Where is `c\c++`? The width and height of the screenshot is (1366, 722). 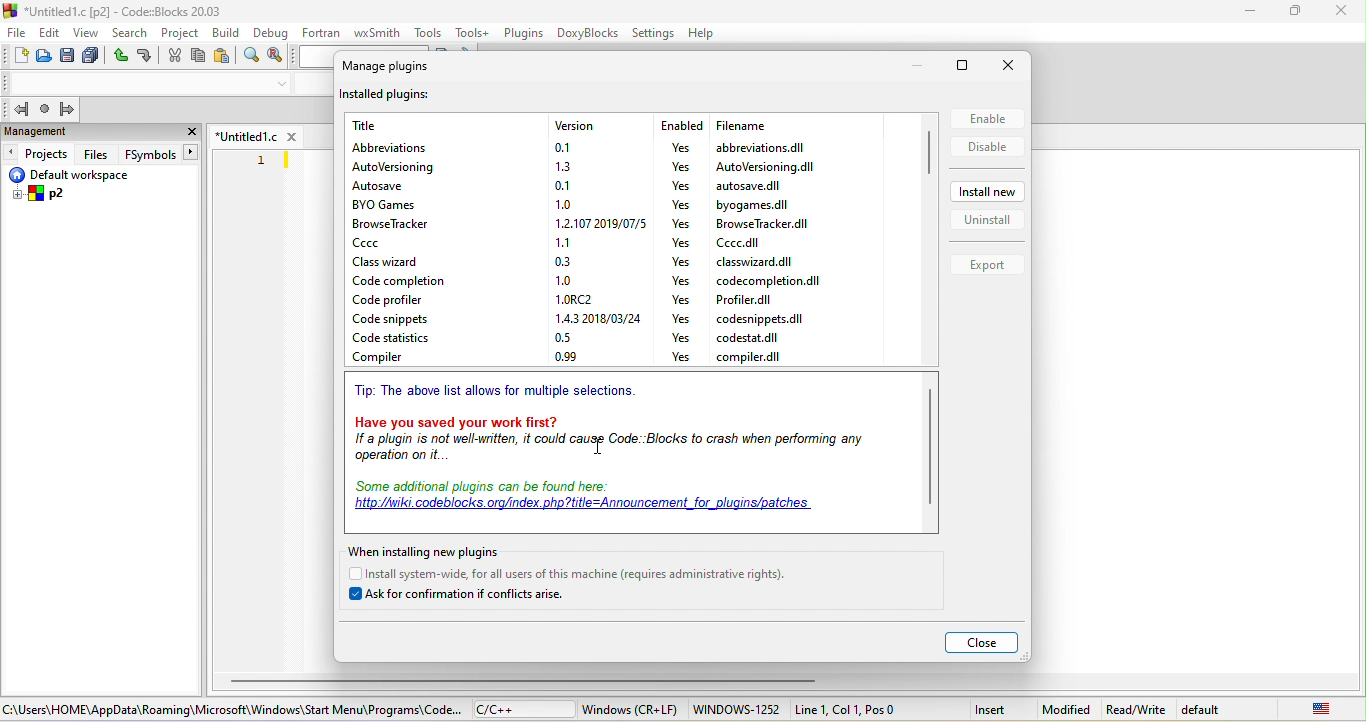 c\c++ is located at coordinates (521, 709).